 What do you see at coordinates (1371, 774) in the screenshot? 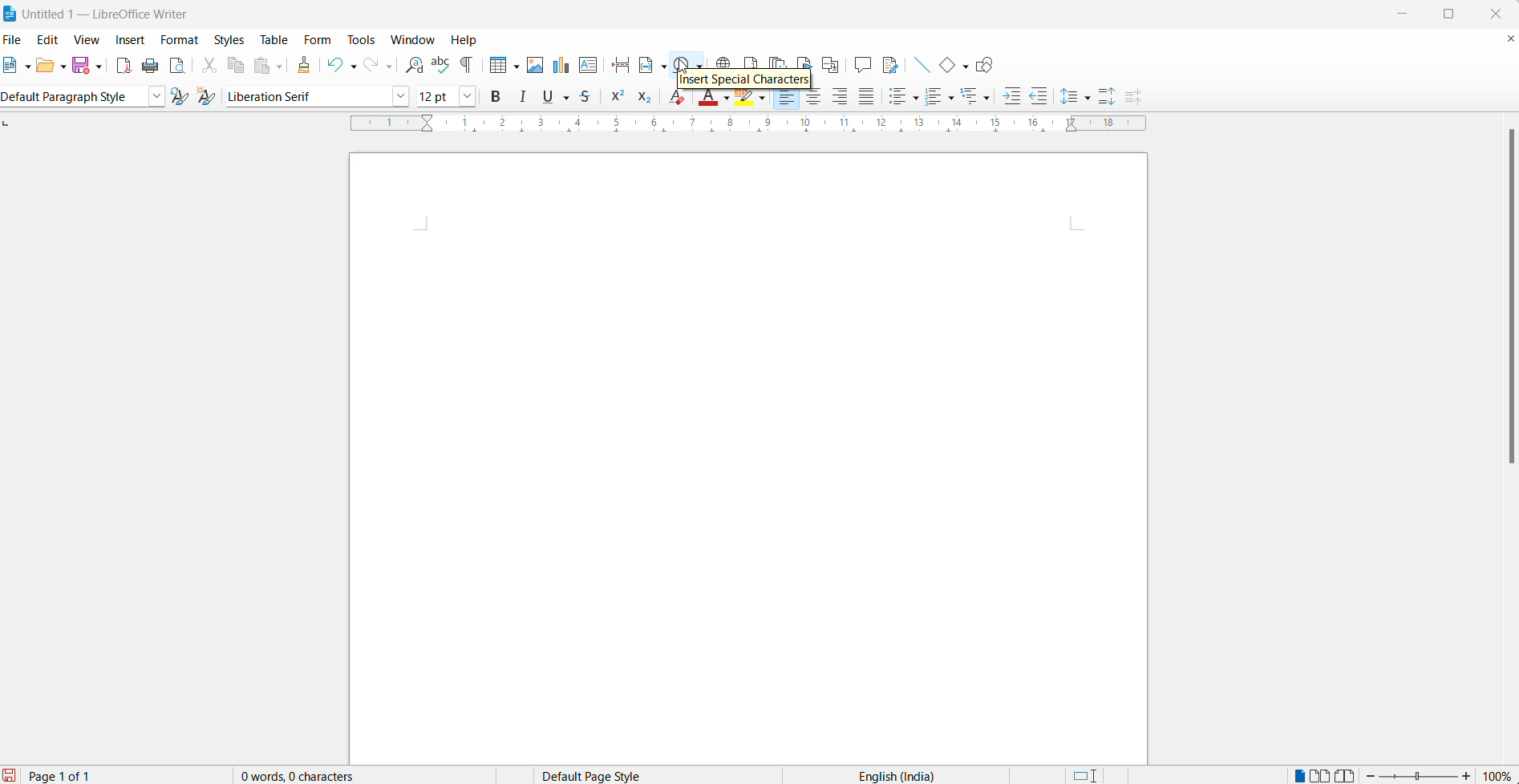
I see `zoom decrease` at bounding box center [1371, 774].